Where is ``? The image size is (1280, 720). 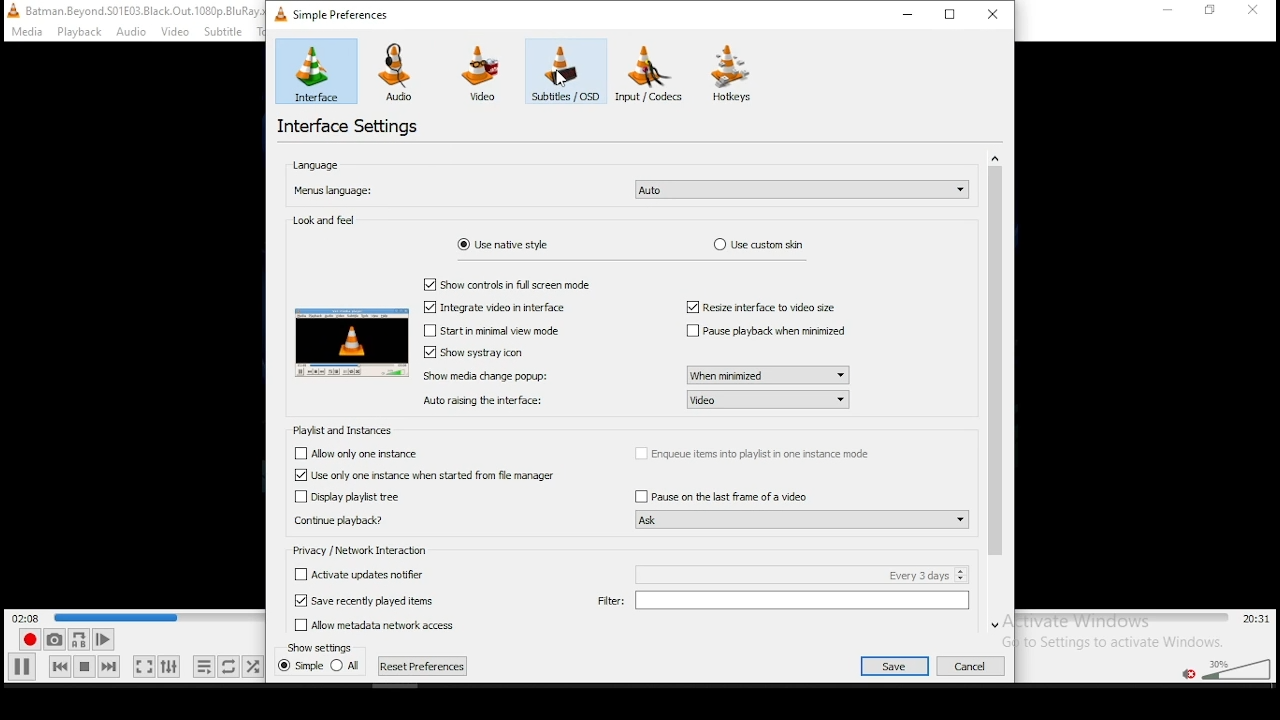
 is located at coordinates (130, 10).